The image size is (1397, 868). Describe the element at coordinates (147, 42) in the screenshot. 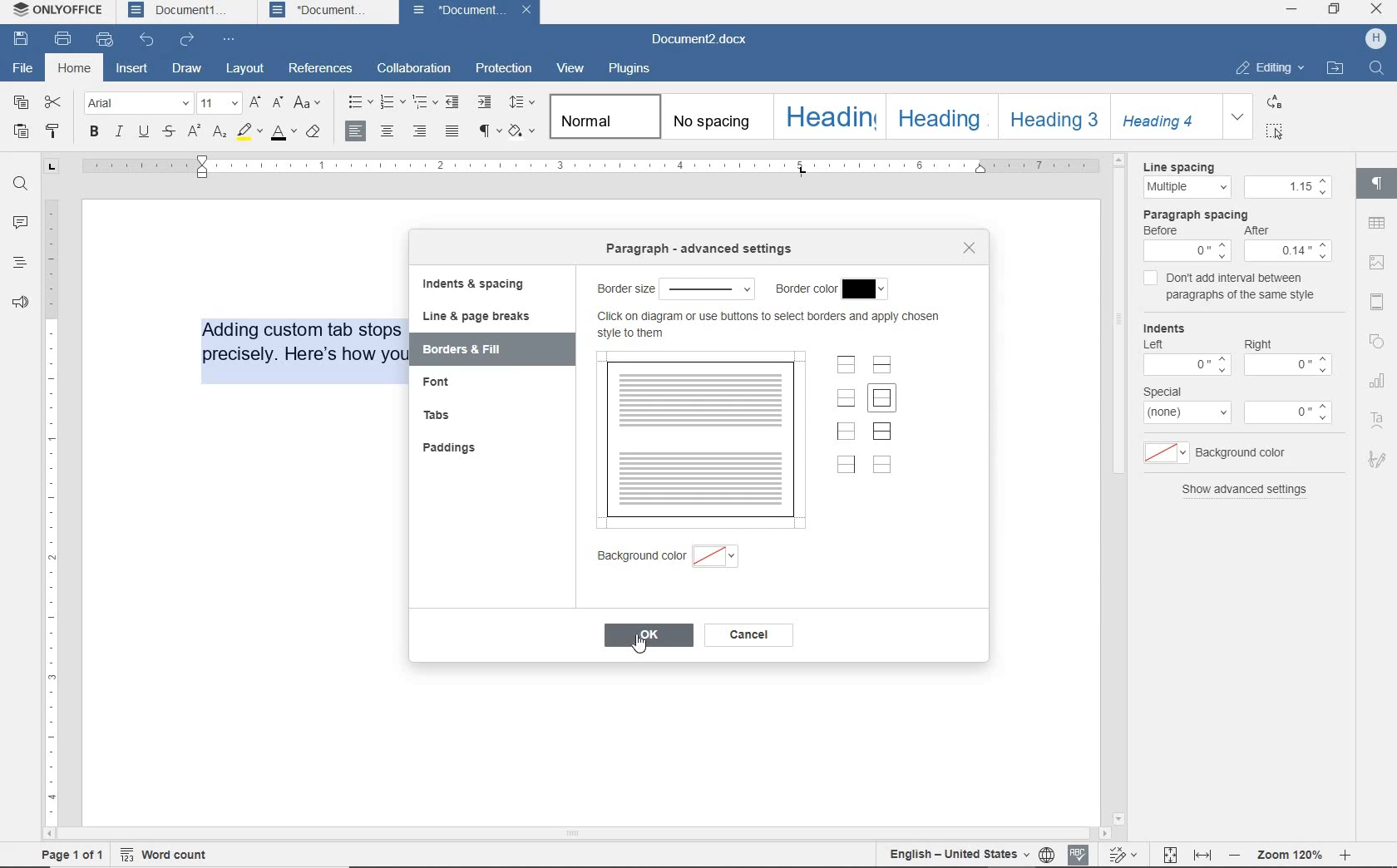

I see `undo` at that location.